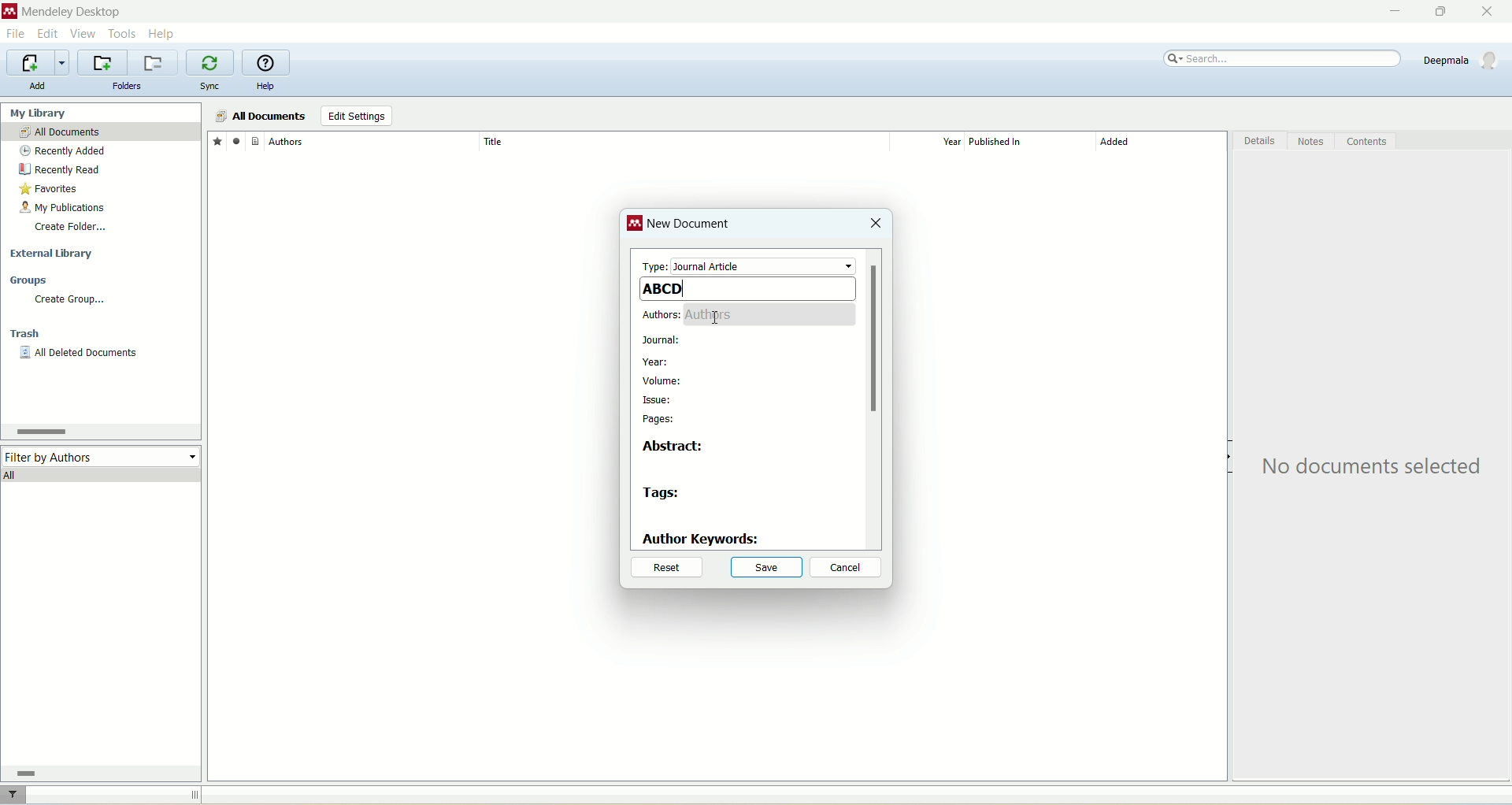 The image size is (1512, 805). I want to click on external library, so click(54, 254).